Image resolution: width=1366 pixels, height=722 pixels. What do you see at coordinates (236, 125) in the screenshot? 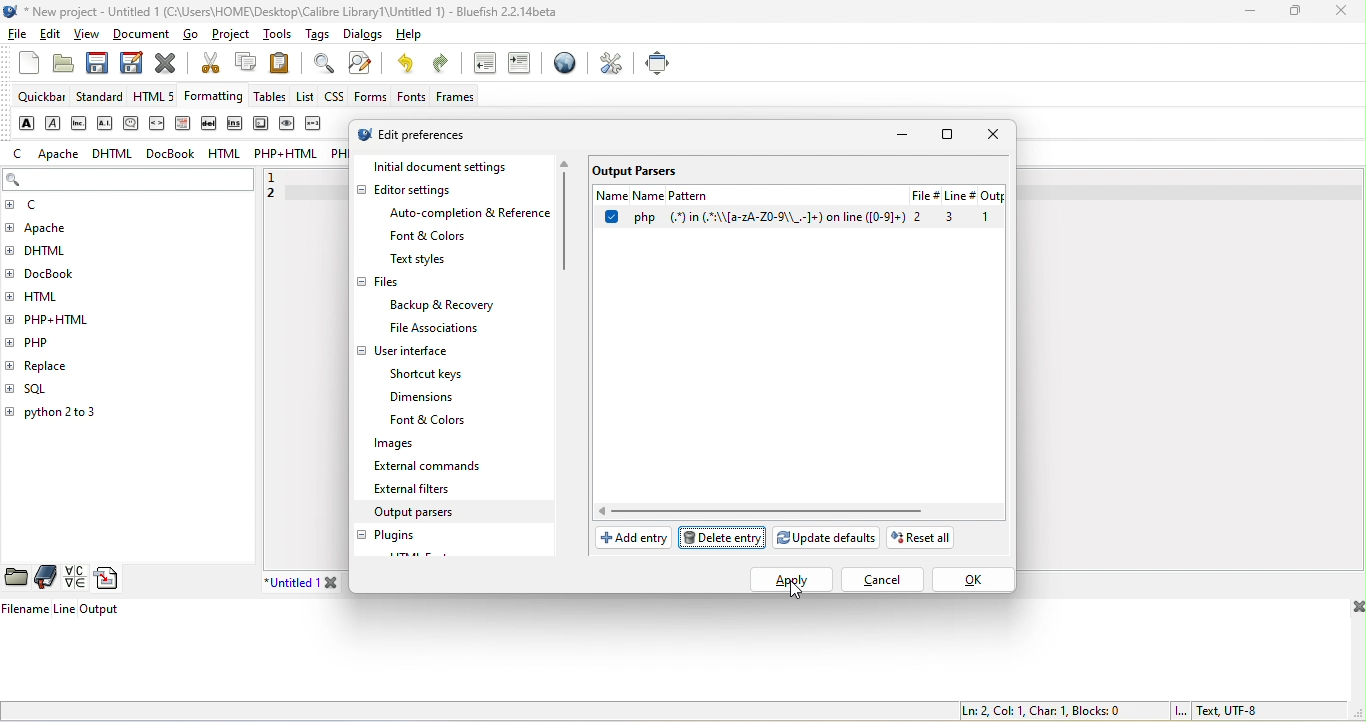
I see `insert` at bounding box center [236, 125].